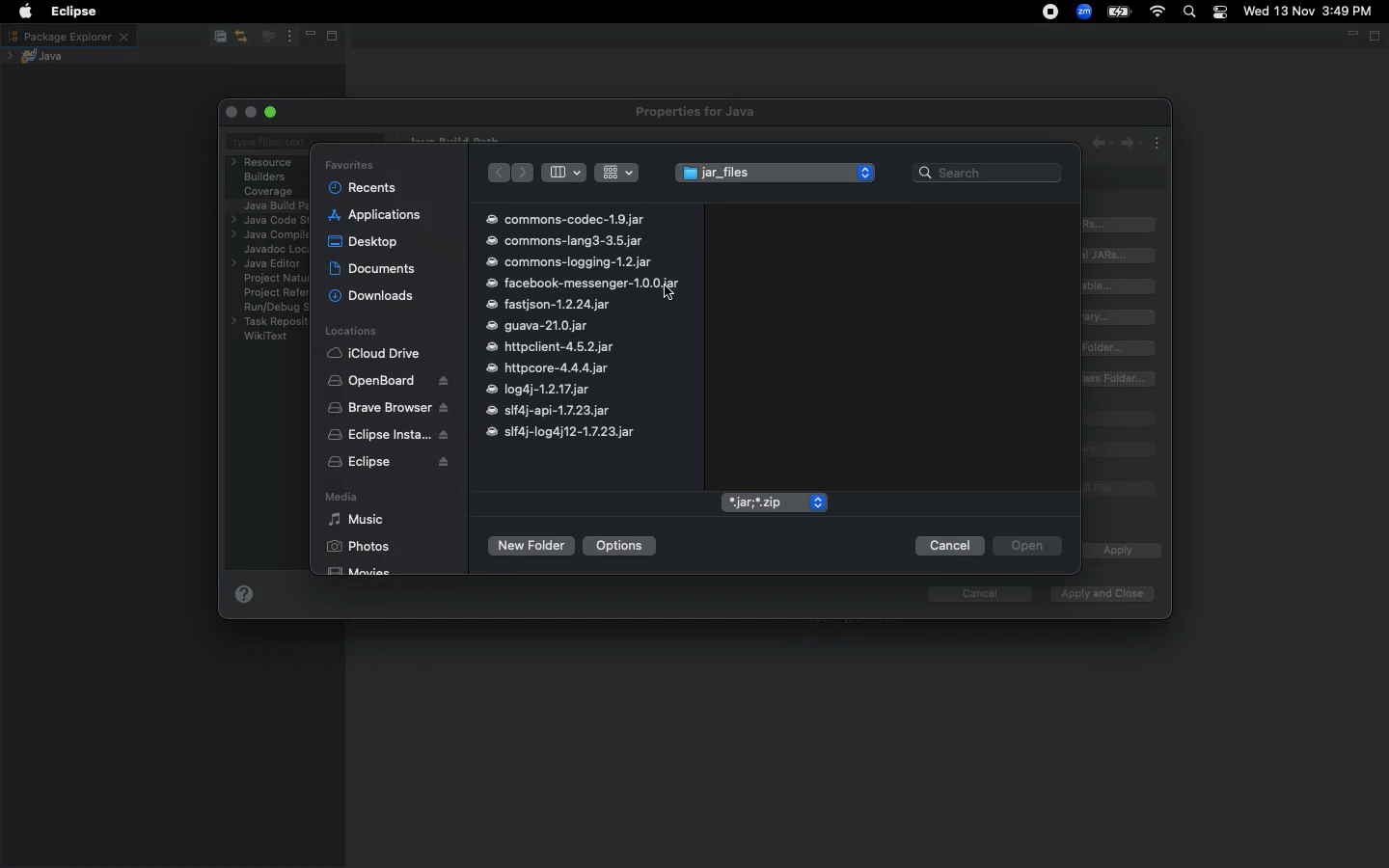 This screenshot has width=1389, height=868. Describe the element at coordinates (388, 408) in the screenshot. I see `Brave browser` at that location.